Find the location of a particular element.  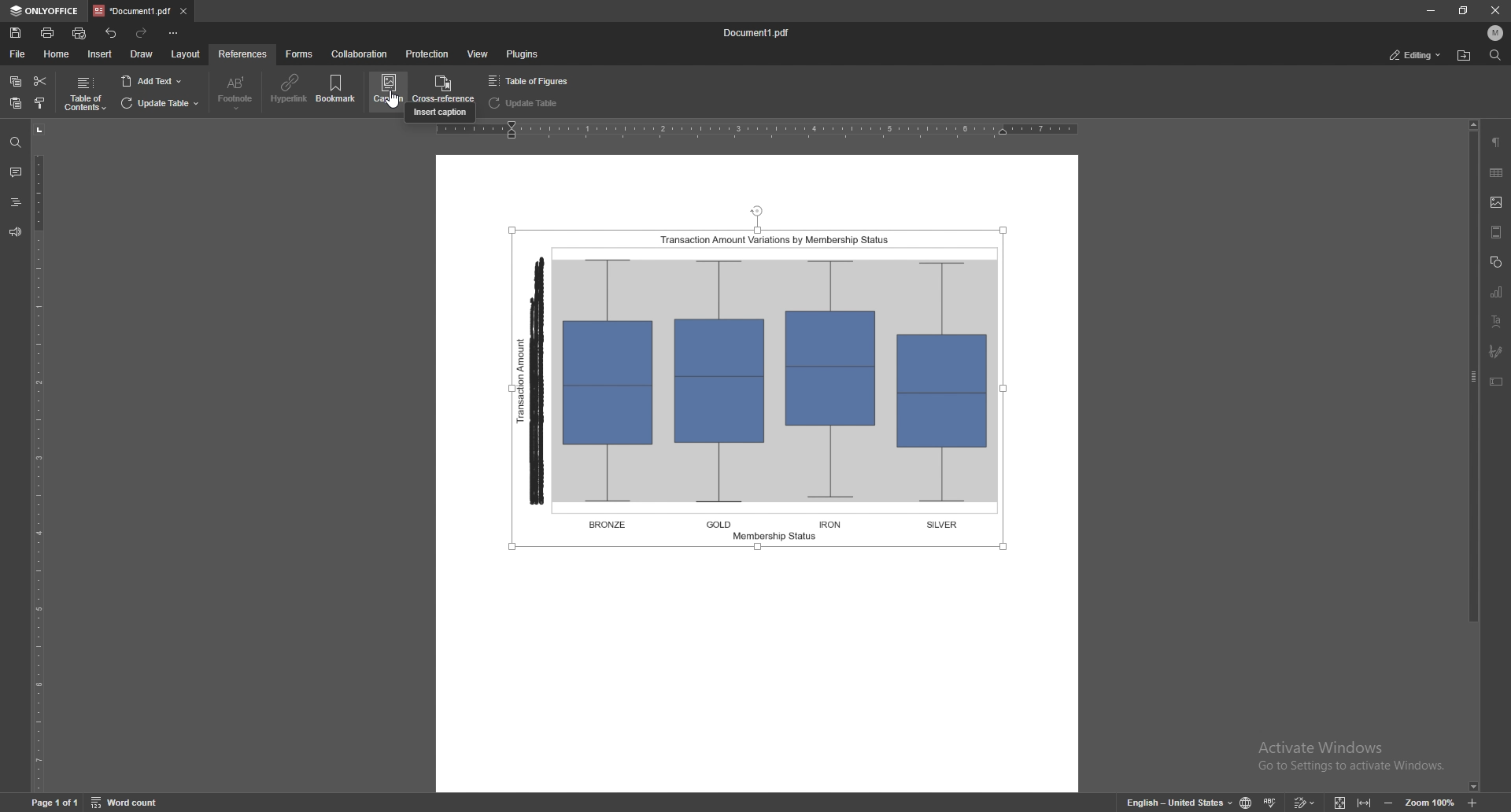

zoom in is located at coordinates (1472, 801).